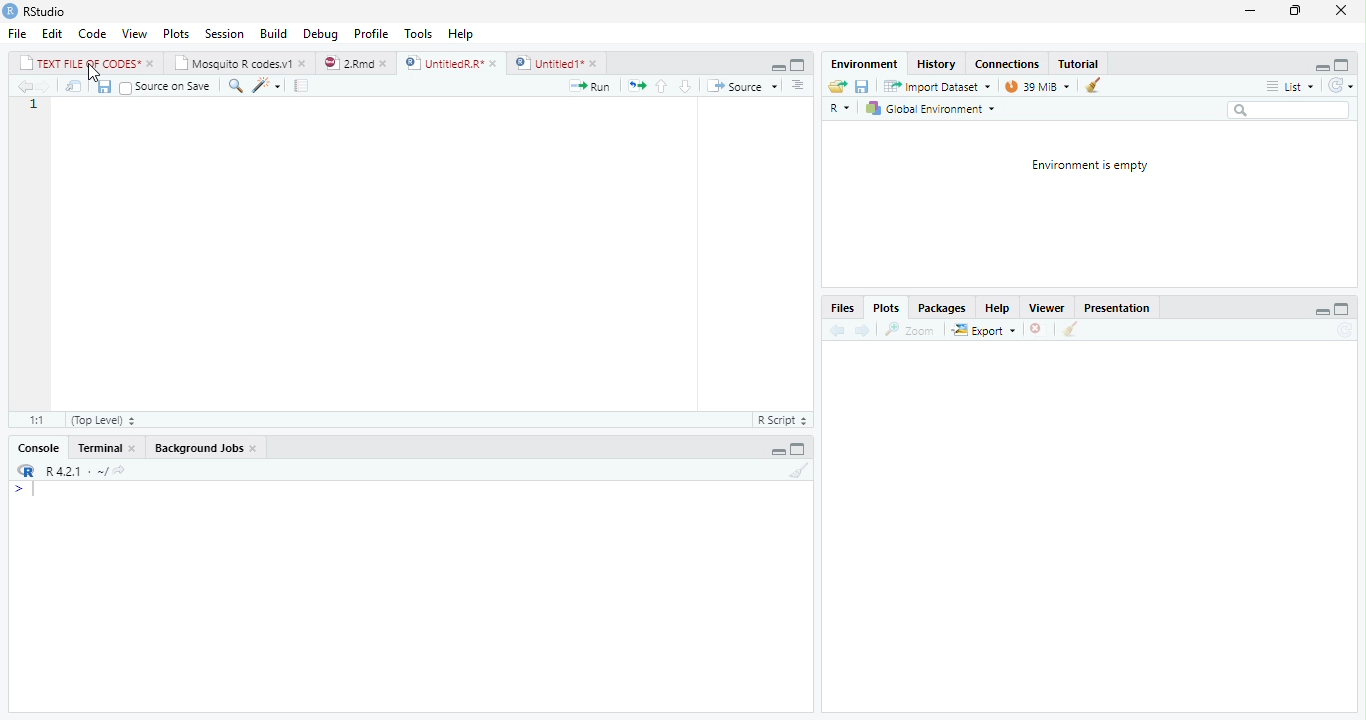 The height and width of the screenshot is (720, 1366). Describe the element at coordinates (797, 63) in the screenshot. I see `Maximize` at that location.